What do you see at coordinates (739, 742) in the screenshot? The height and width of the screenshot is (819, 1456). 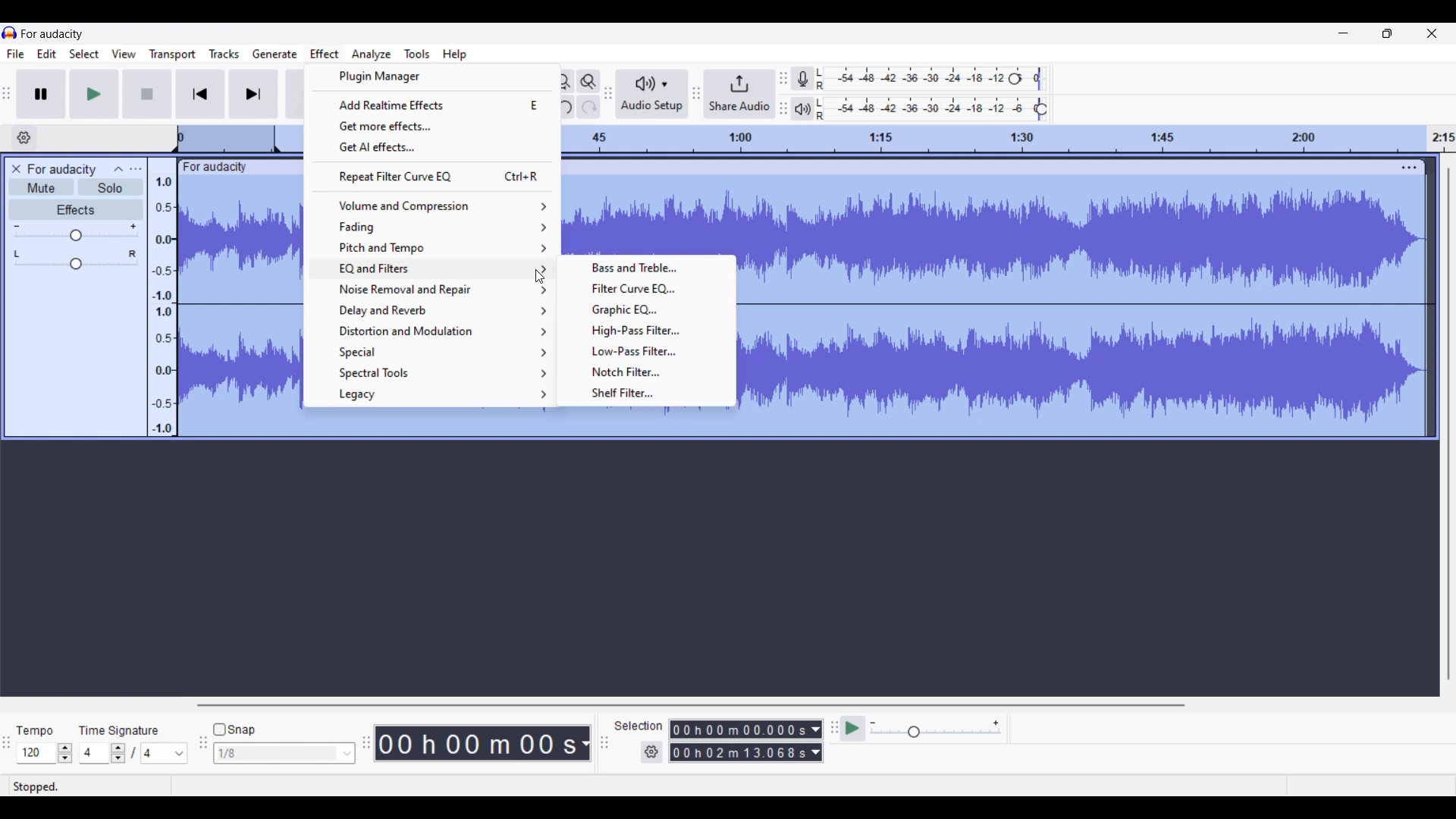 I see `Selection duration` at bounding box center [739, 742].